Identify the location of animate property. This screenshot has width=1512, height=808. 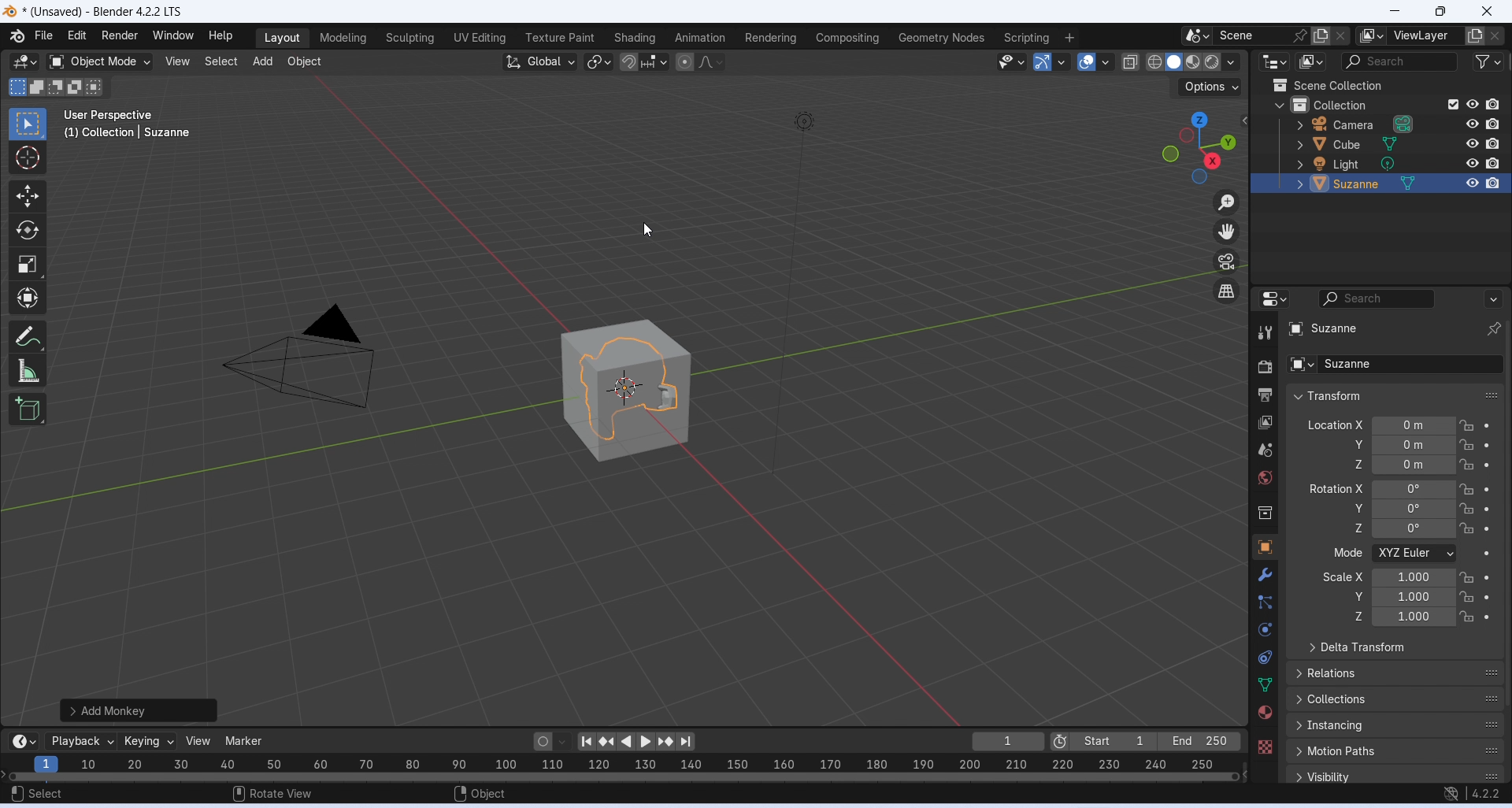
(1486, 489).